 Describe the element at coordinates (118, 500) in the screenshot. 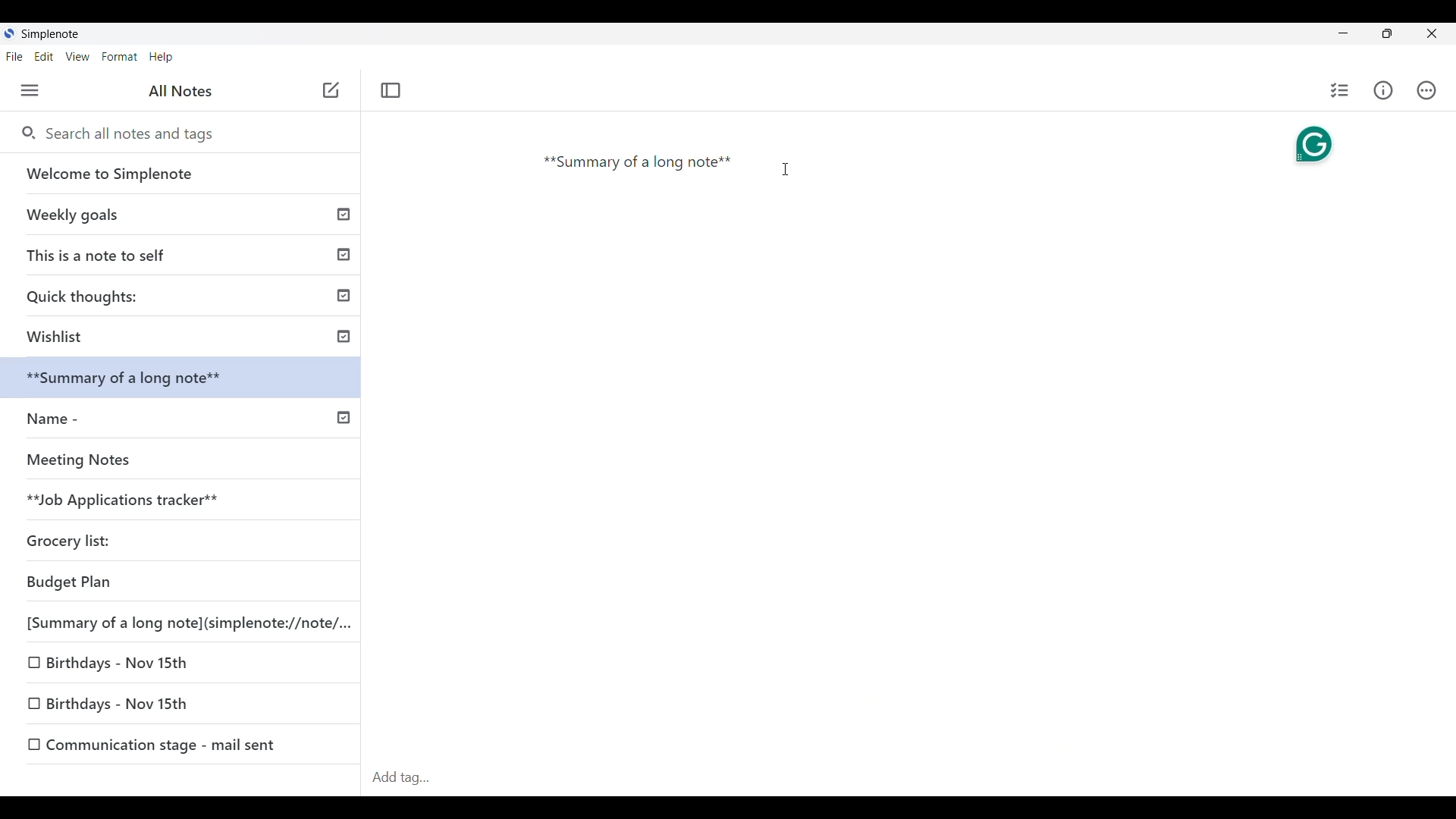

I see `Job Applications tracker` at that location.